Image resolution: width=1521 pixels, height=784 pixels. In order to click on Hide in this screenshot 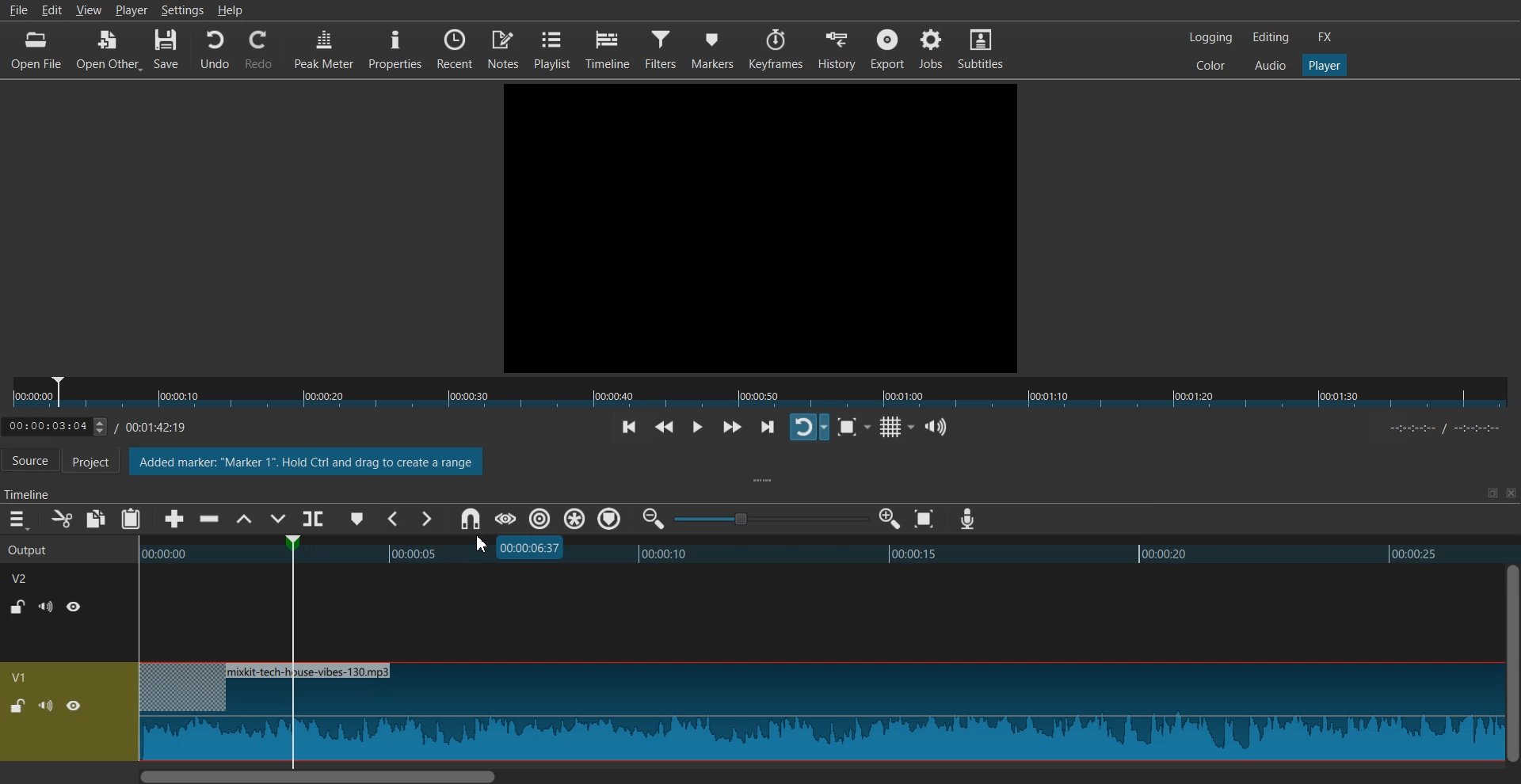, I will do `click(74, 606)`.